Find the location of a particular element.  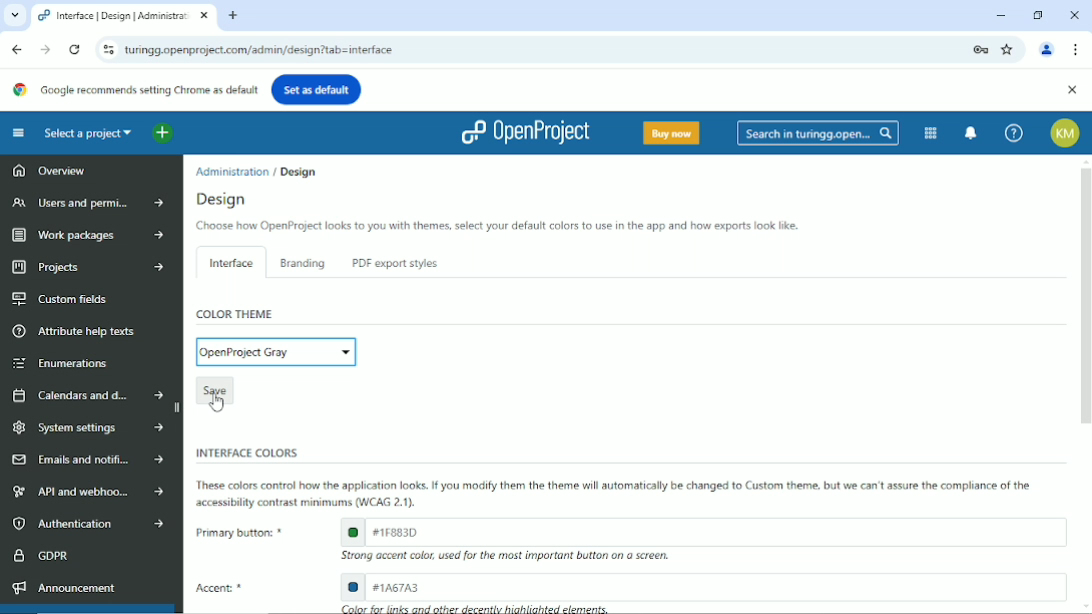

Buy now is located at coordinates (670, 132).